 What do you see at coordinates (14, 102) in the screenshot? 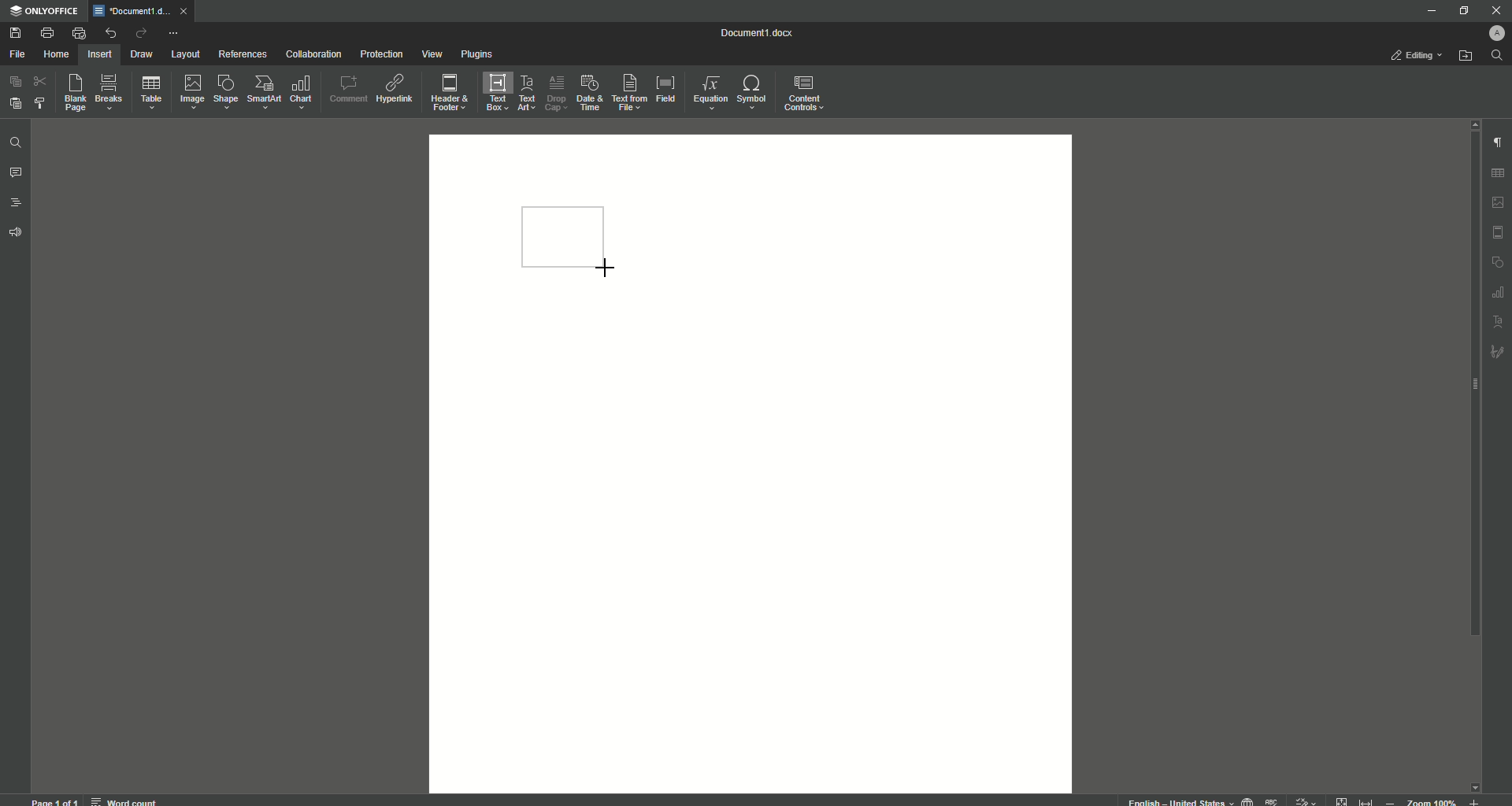
I see `Paste` at bounding box center [14, 102].